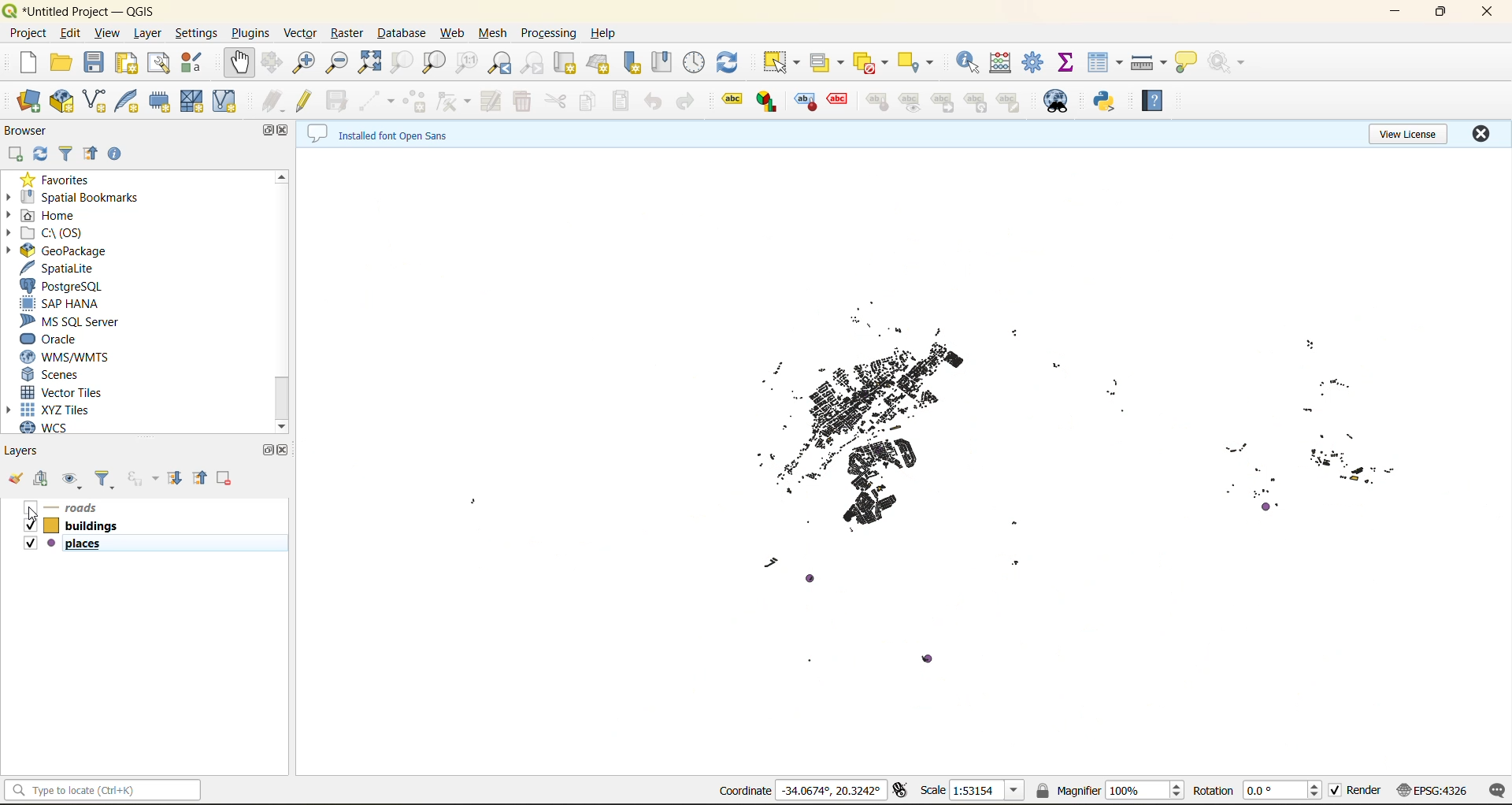 This screenshot has width=1512, height=805. I want to click on layers, so click(34, 453).